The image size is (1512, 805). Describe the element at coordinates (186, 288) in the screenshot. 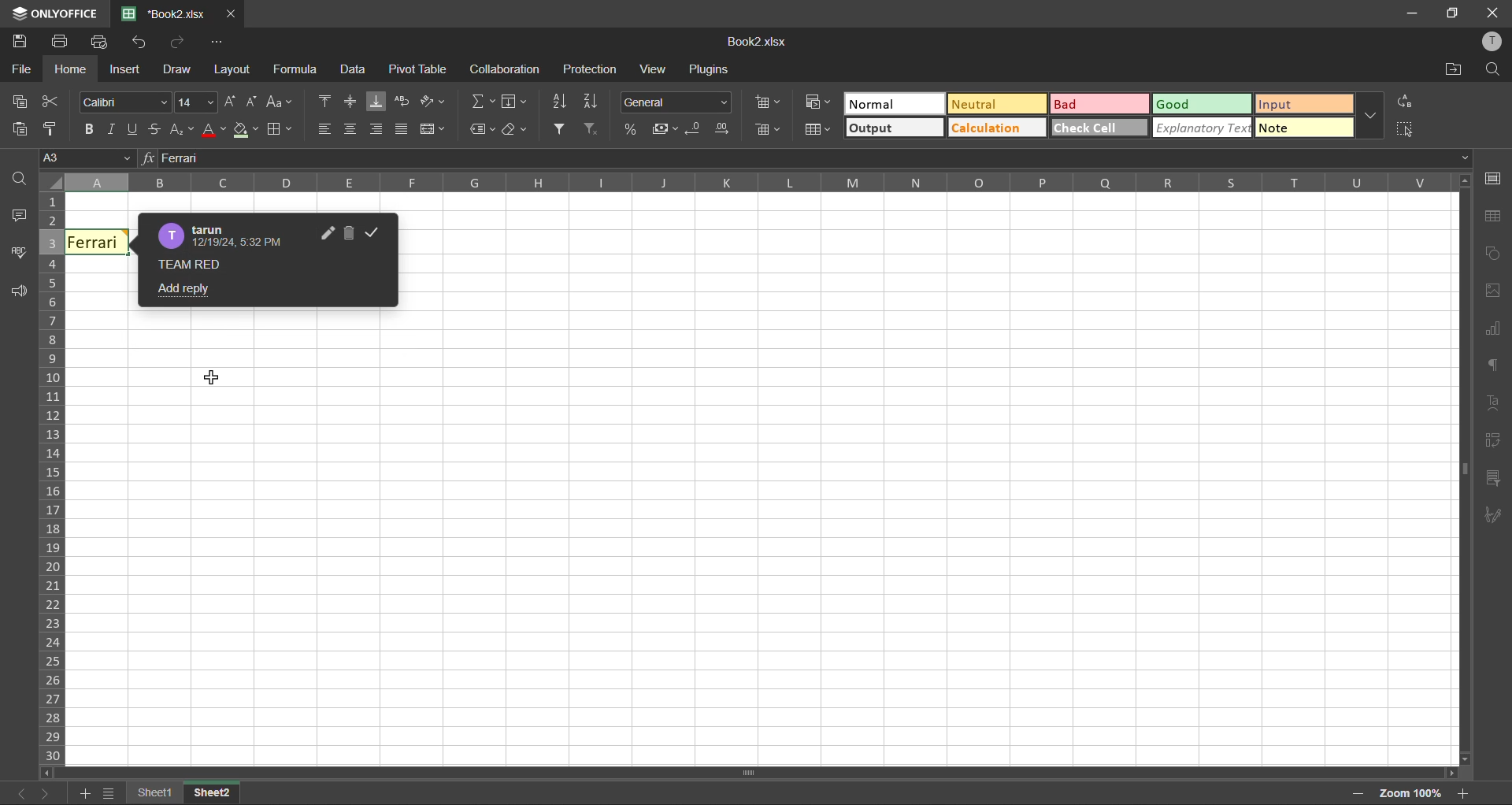

I see `add reply` at that location.